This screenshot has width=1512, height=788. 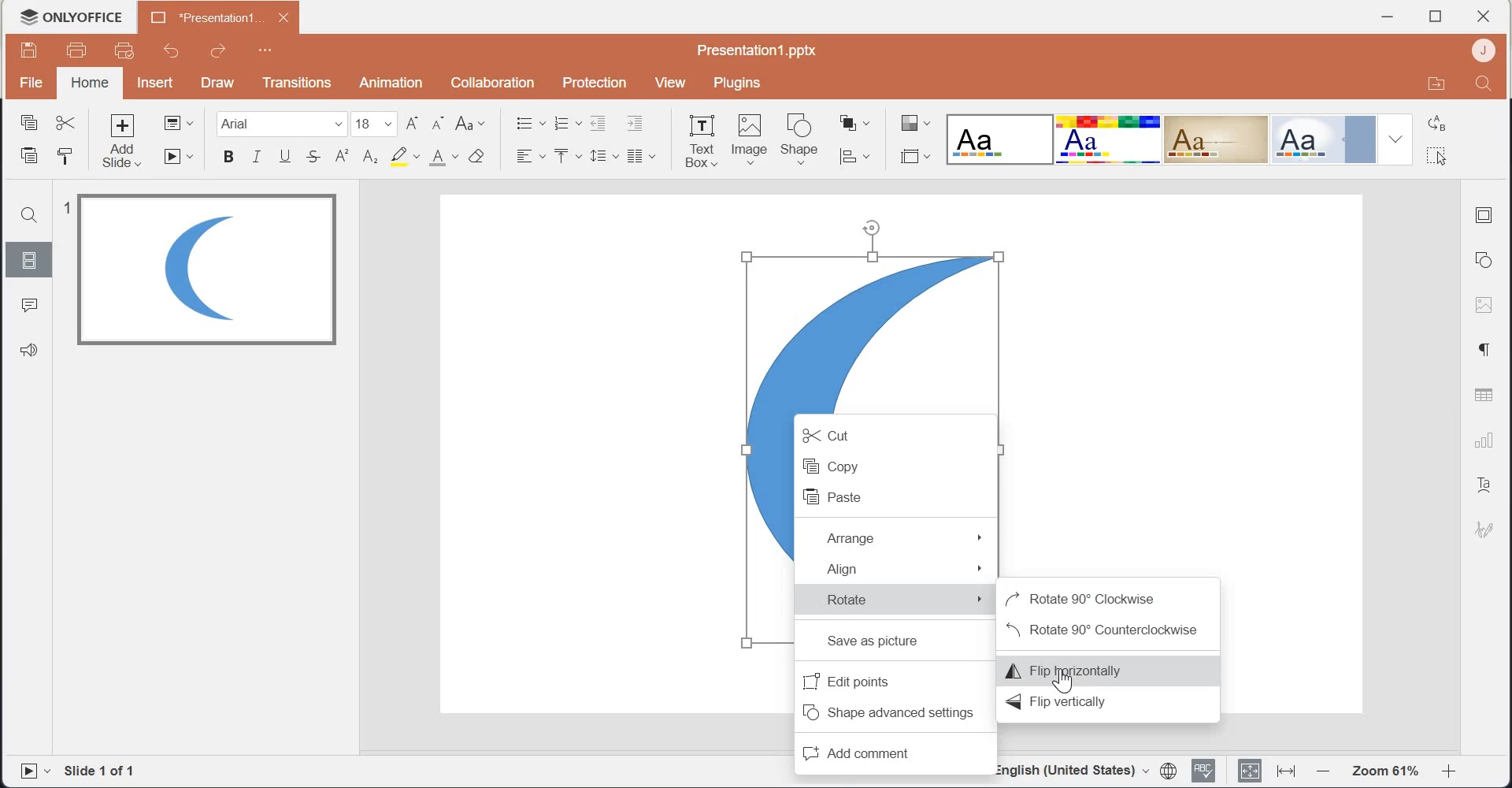 What do you see at coordinates (206, 271) in the screenshot?
I see `Image` at bounding box center [206, 271].